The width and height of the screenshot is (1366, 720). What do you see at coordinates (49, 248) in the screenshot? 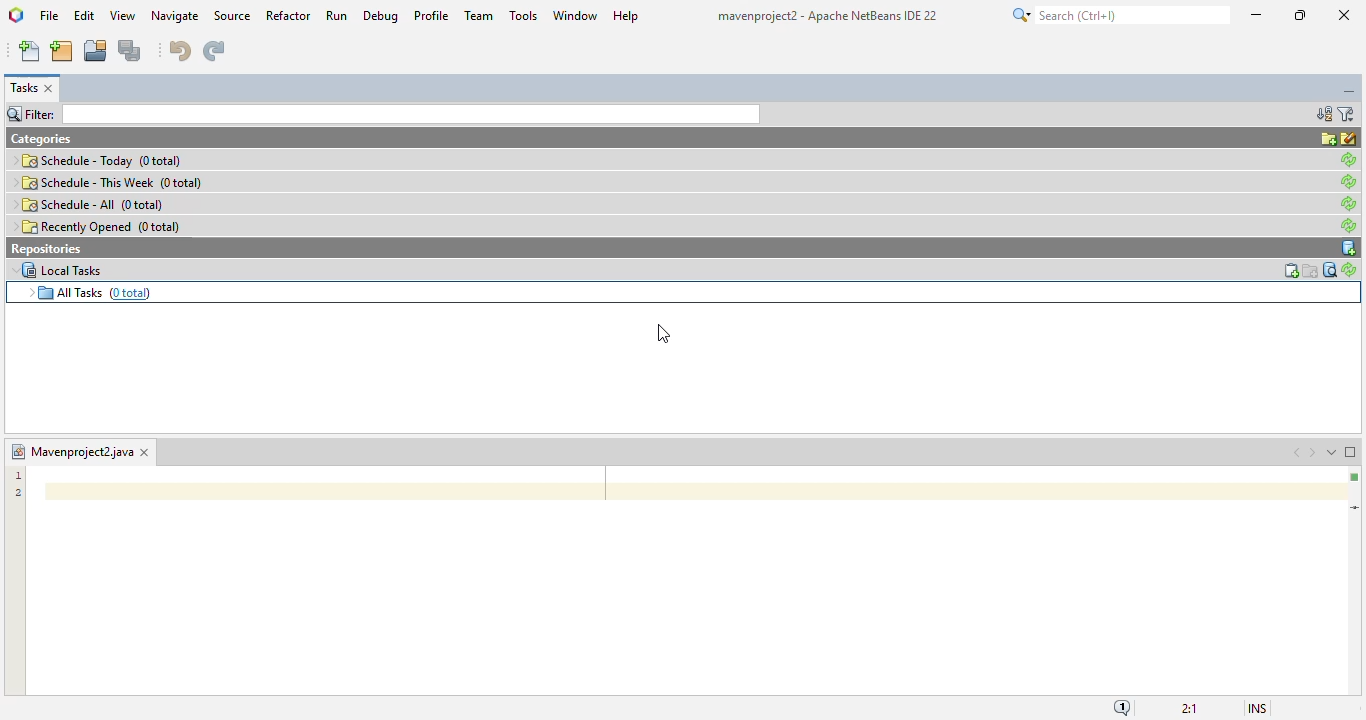
I see `repositories` at bounding box center [49, 248].